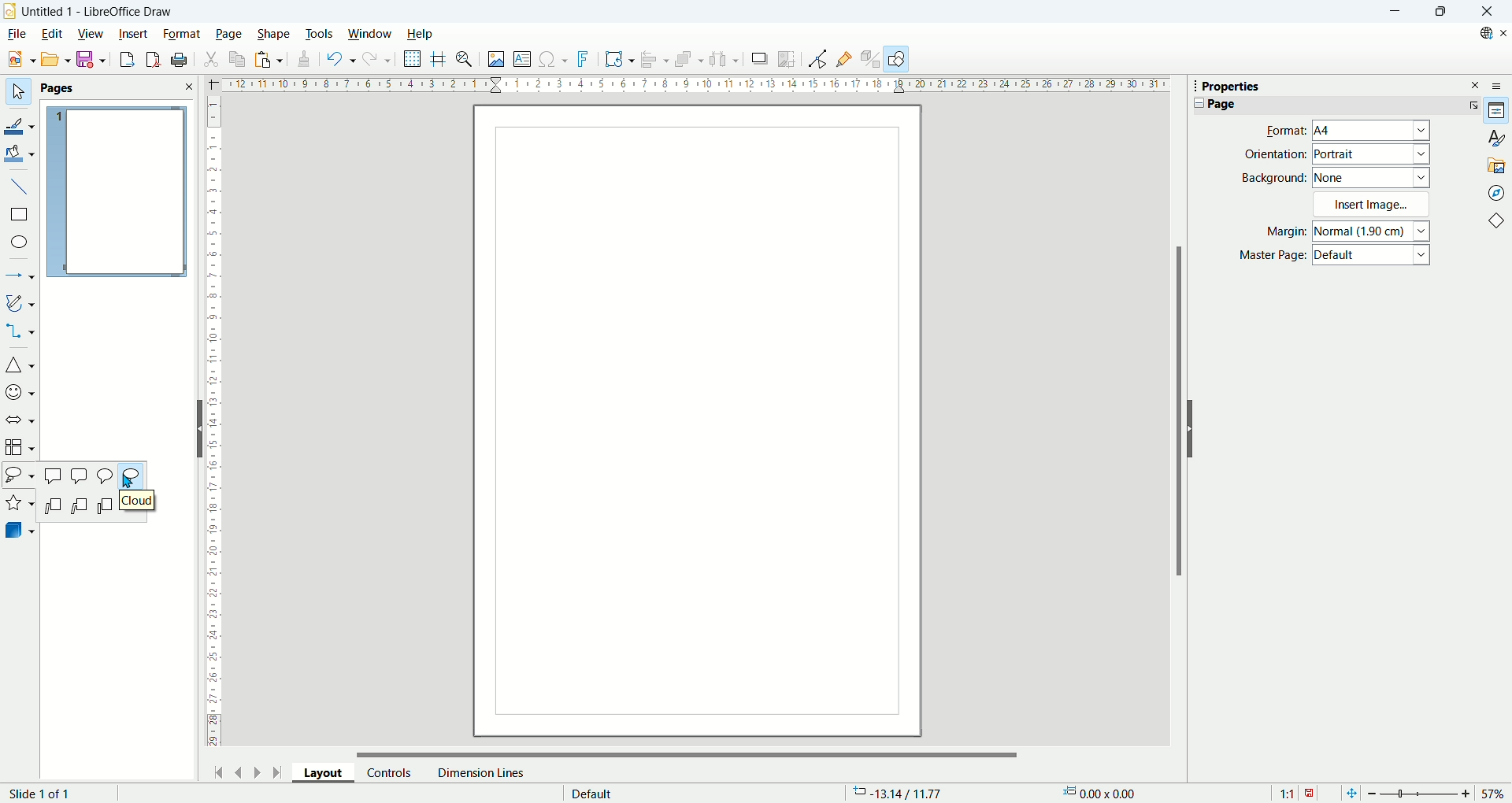  Describe the element at coordinates (98, 9) in the screenshot. I see `Untitled 1 - LiberOffice Draw` at that location.